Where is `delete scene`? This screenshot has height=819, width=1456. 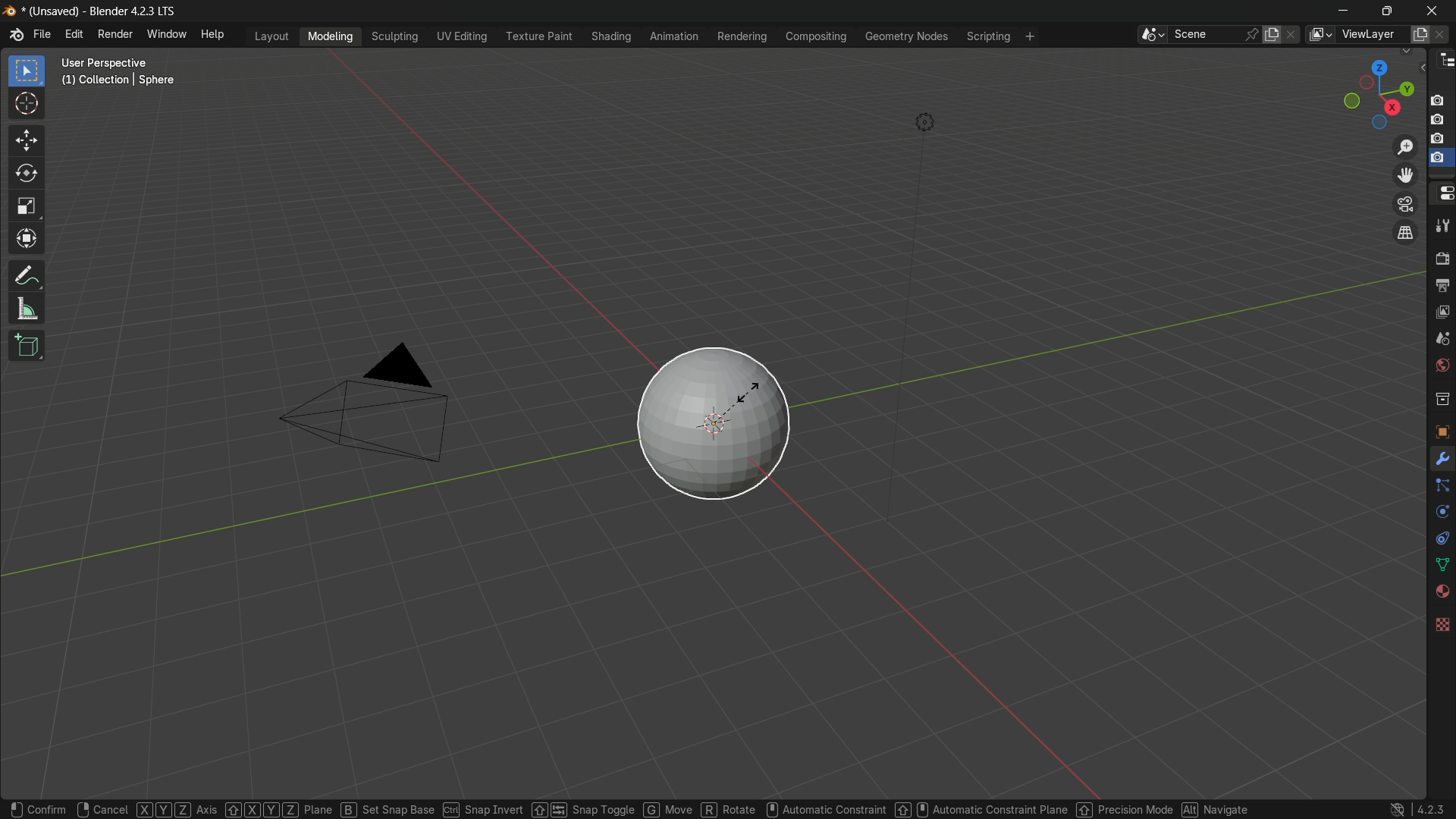
delete scene is located at coordinates (1292, 35).